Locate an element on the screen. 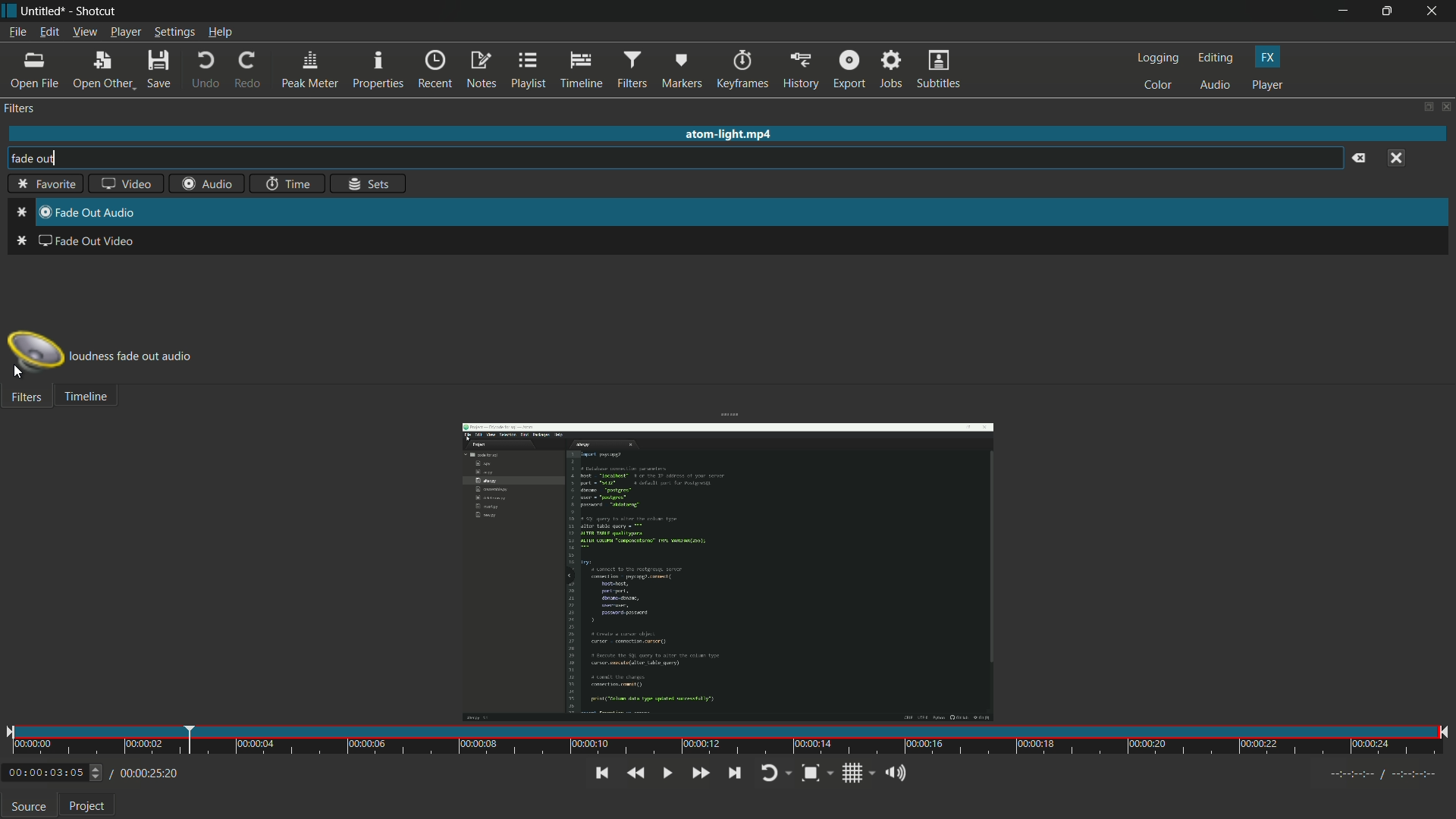 The width and height of the screenshot is (1456, 819). file menu is located at coordinates (17, 32).